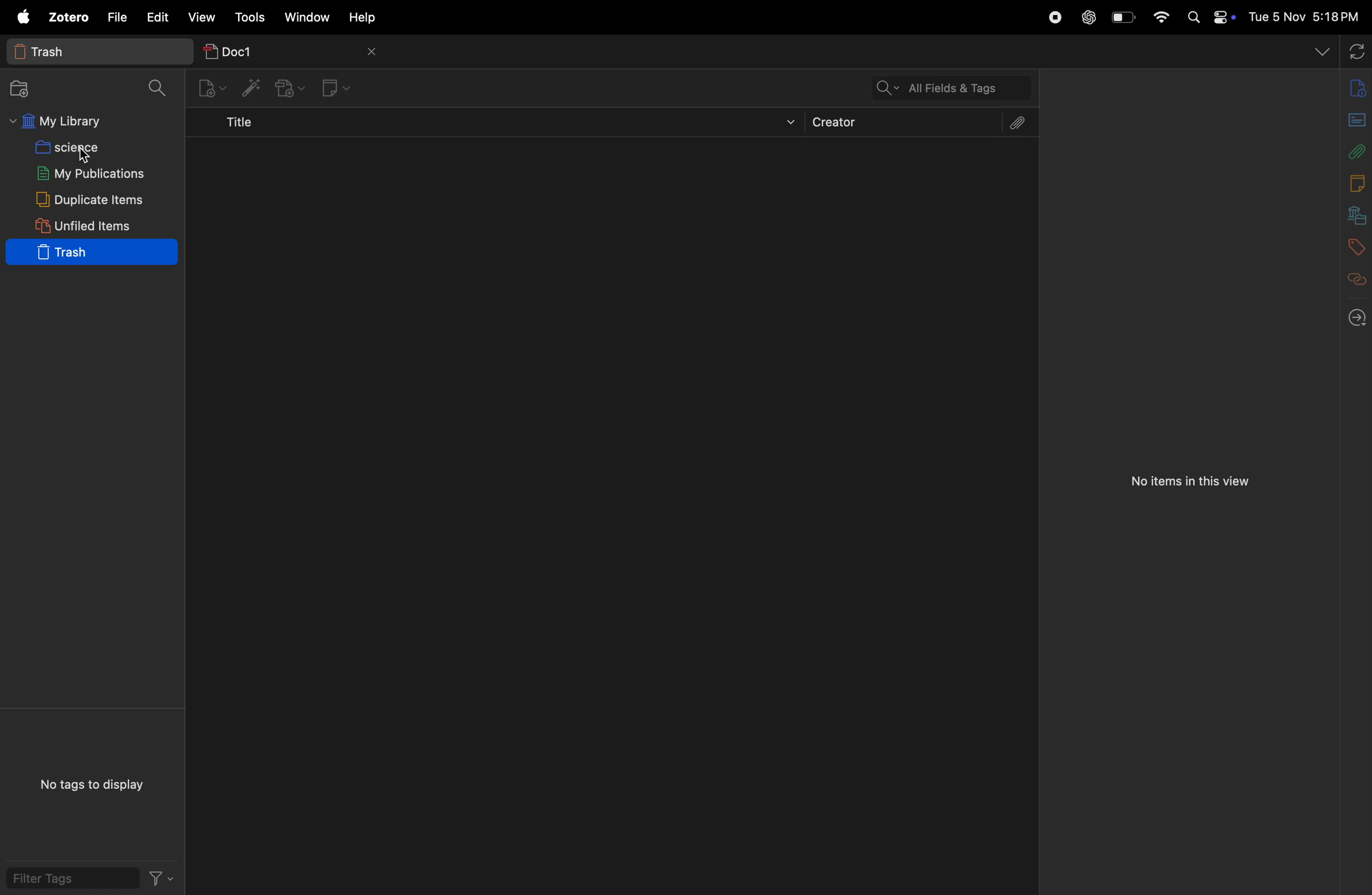 The height and width of the screenshot is (895, 1372). What do you see at coordinates (1356, 316) in the screenshot?
I see `Proceed` at bounding box center [1356, 316].